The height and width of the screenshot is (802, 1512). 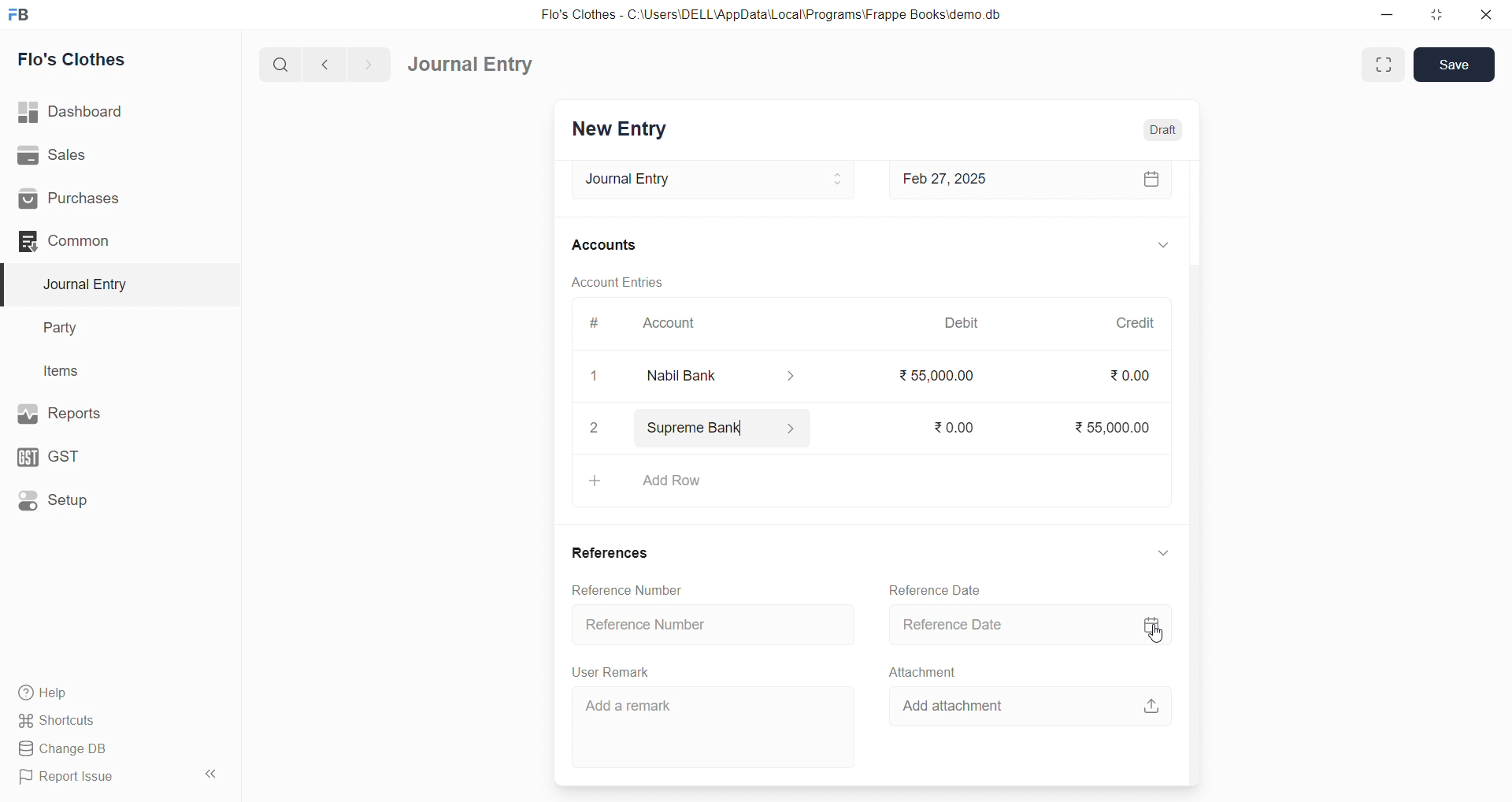 What do you see at coordinates (98, 694) in the screenshot?
I see `Help` at bounding box center [98, 694].